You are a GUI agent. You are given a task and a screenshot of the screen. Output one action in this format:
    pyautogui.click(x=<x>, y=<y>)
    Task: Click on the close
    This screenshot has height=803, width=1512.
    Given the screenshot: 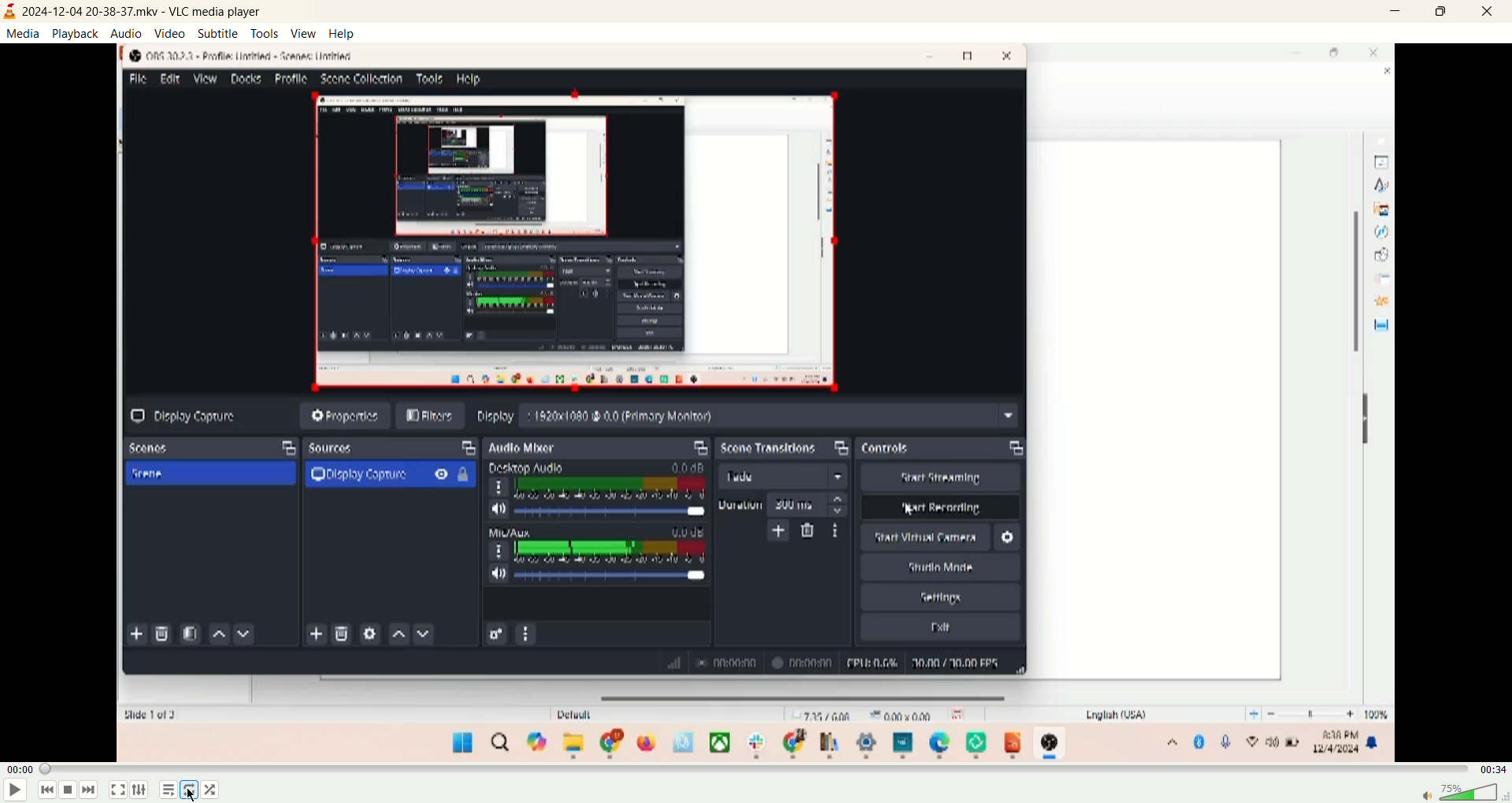 What is the action you would take?
    pyautogui.click(x=1494, y=11)
    